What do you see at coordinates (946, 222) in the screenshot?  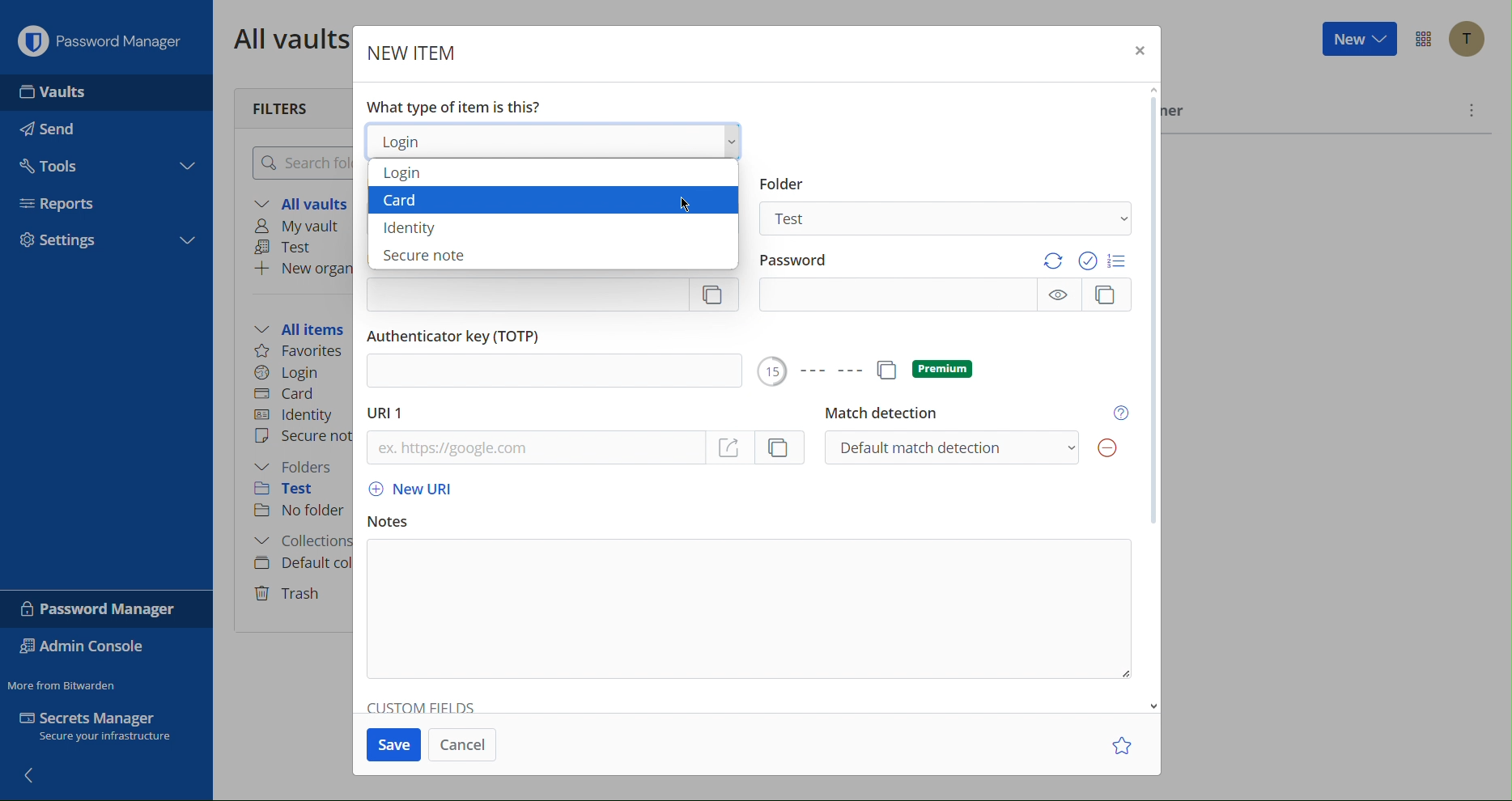 I see `Test` at bounding box center [946, 222].